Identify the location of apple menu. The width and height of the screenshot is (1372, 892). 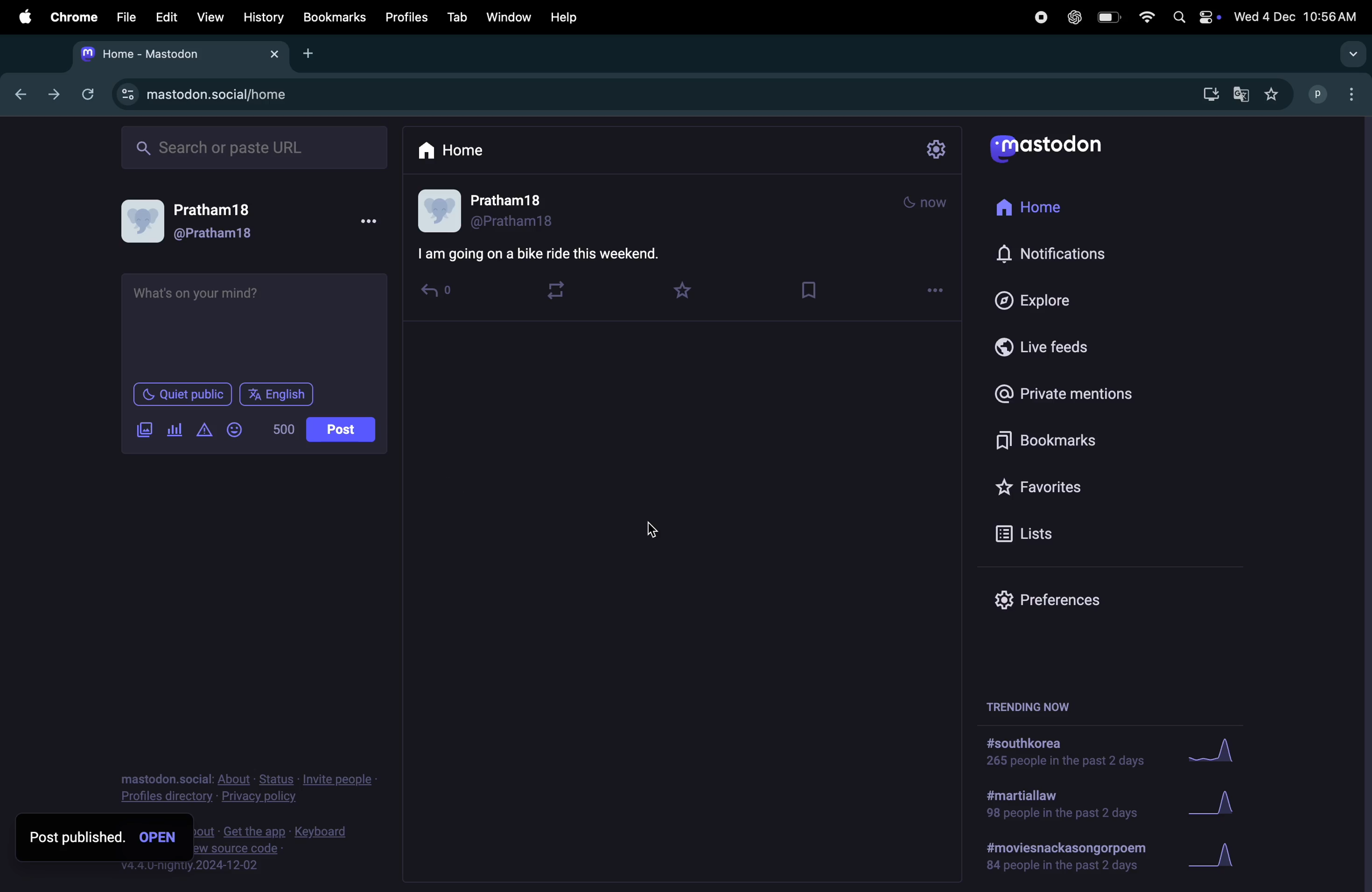
(24, 18).